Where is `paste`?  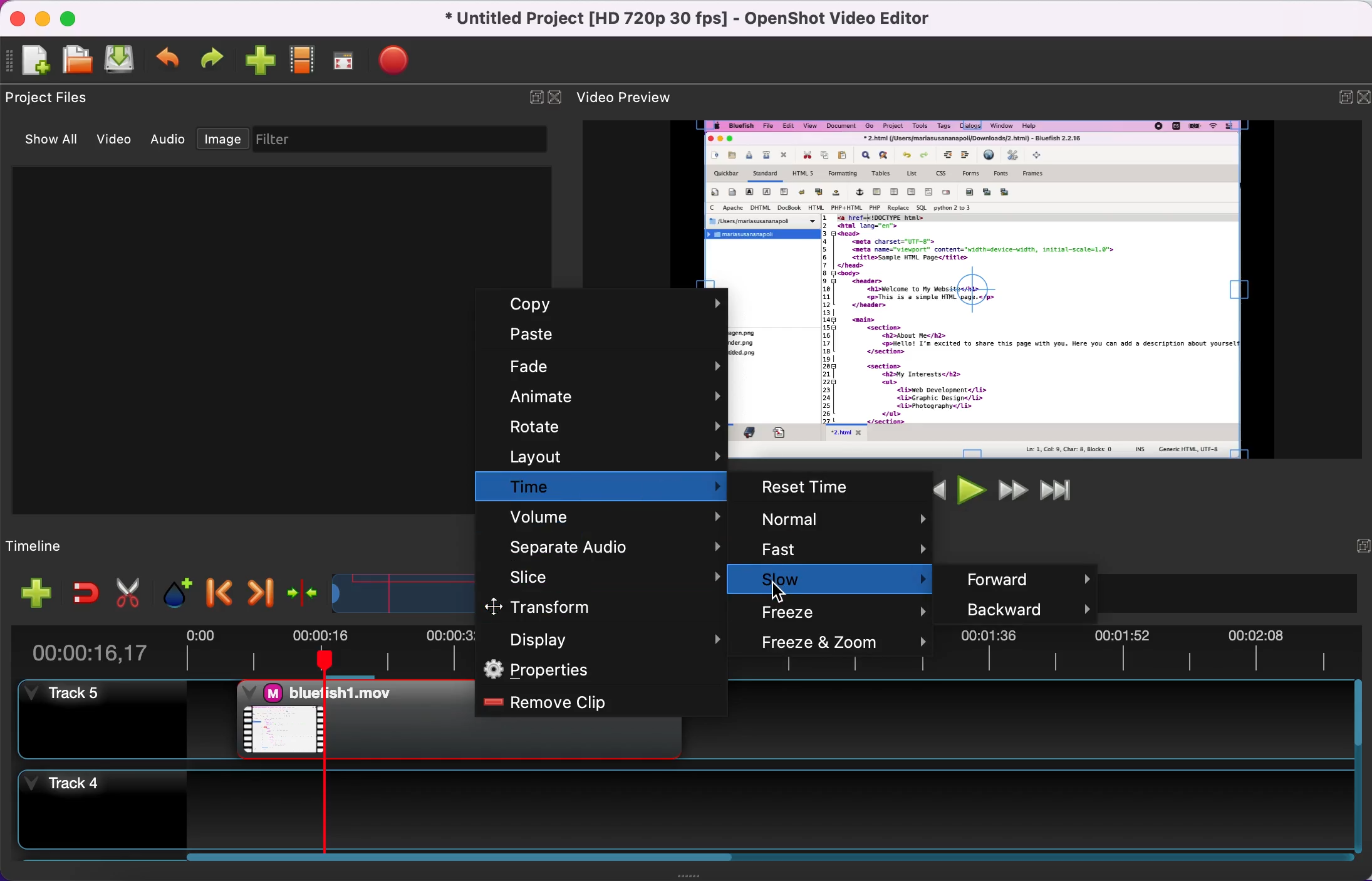 paste is located at coordinates (603, 334).